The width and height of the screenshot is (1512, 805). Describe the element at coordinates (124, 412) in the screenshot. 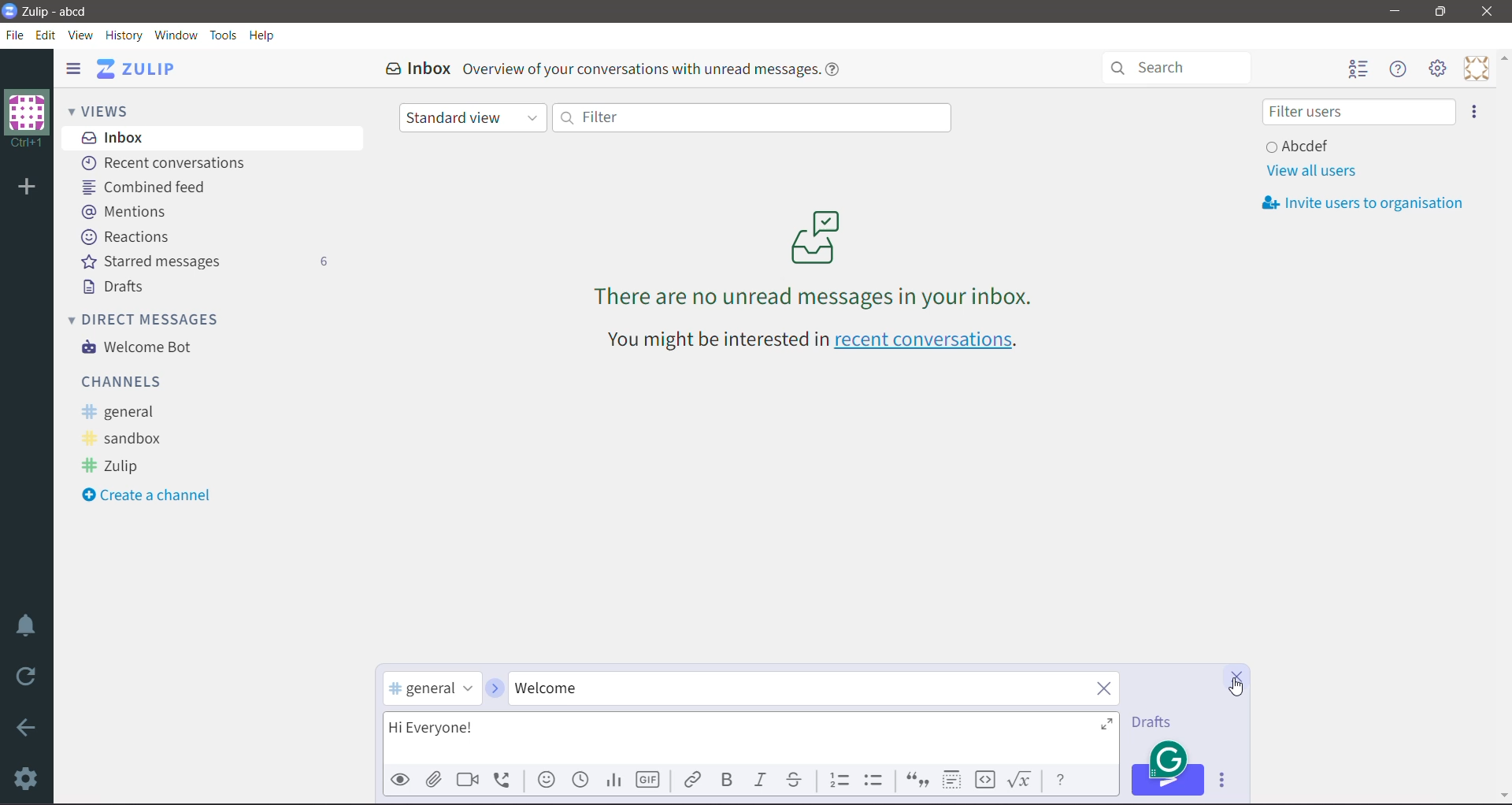

I see `general` at that location.